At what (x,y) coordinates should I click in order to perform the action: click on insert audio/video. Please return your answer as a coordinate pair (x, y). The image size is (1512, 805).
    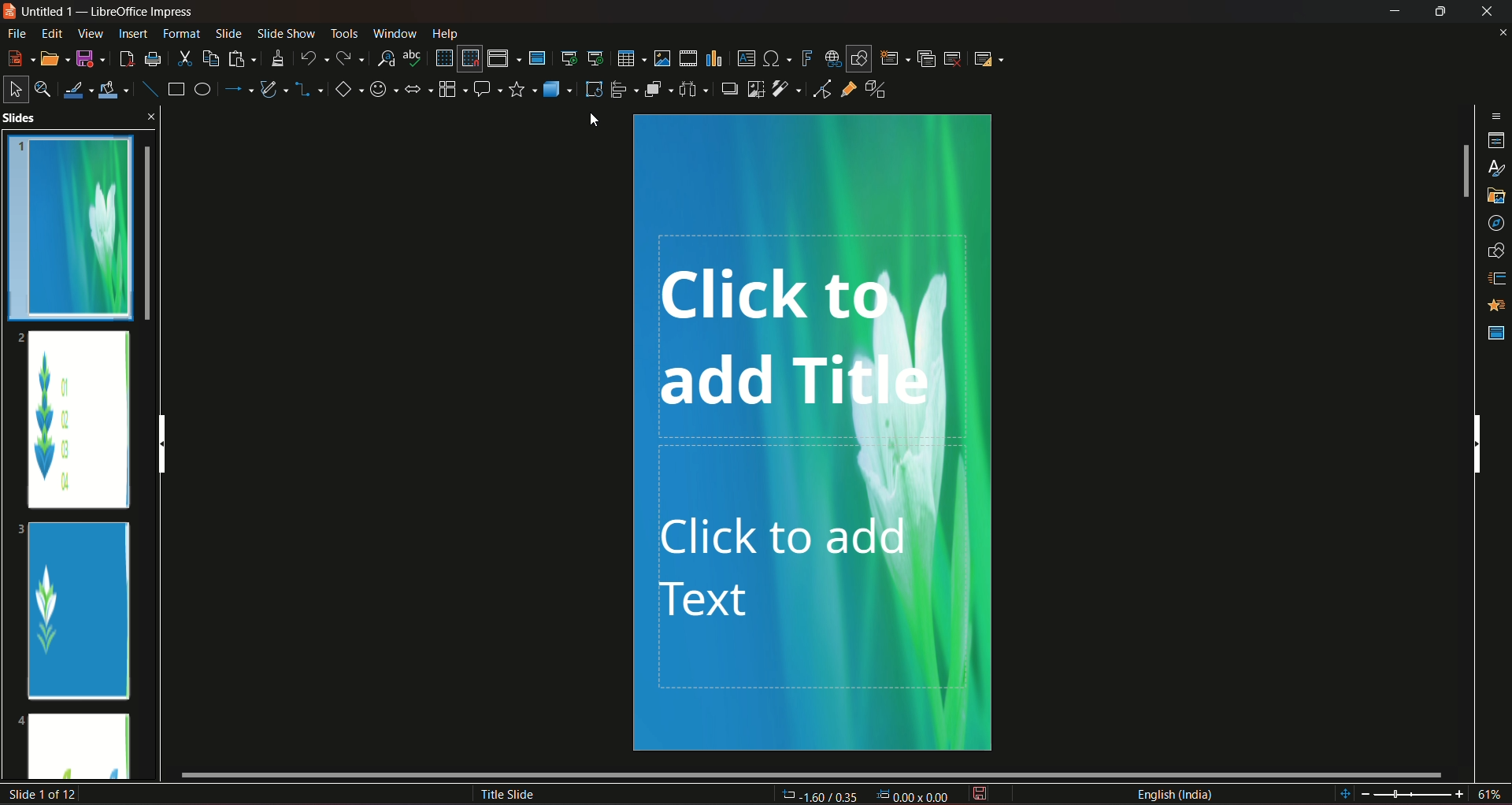
    Looking at the image, I should click on (689, 59).